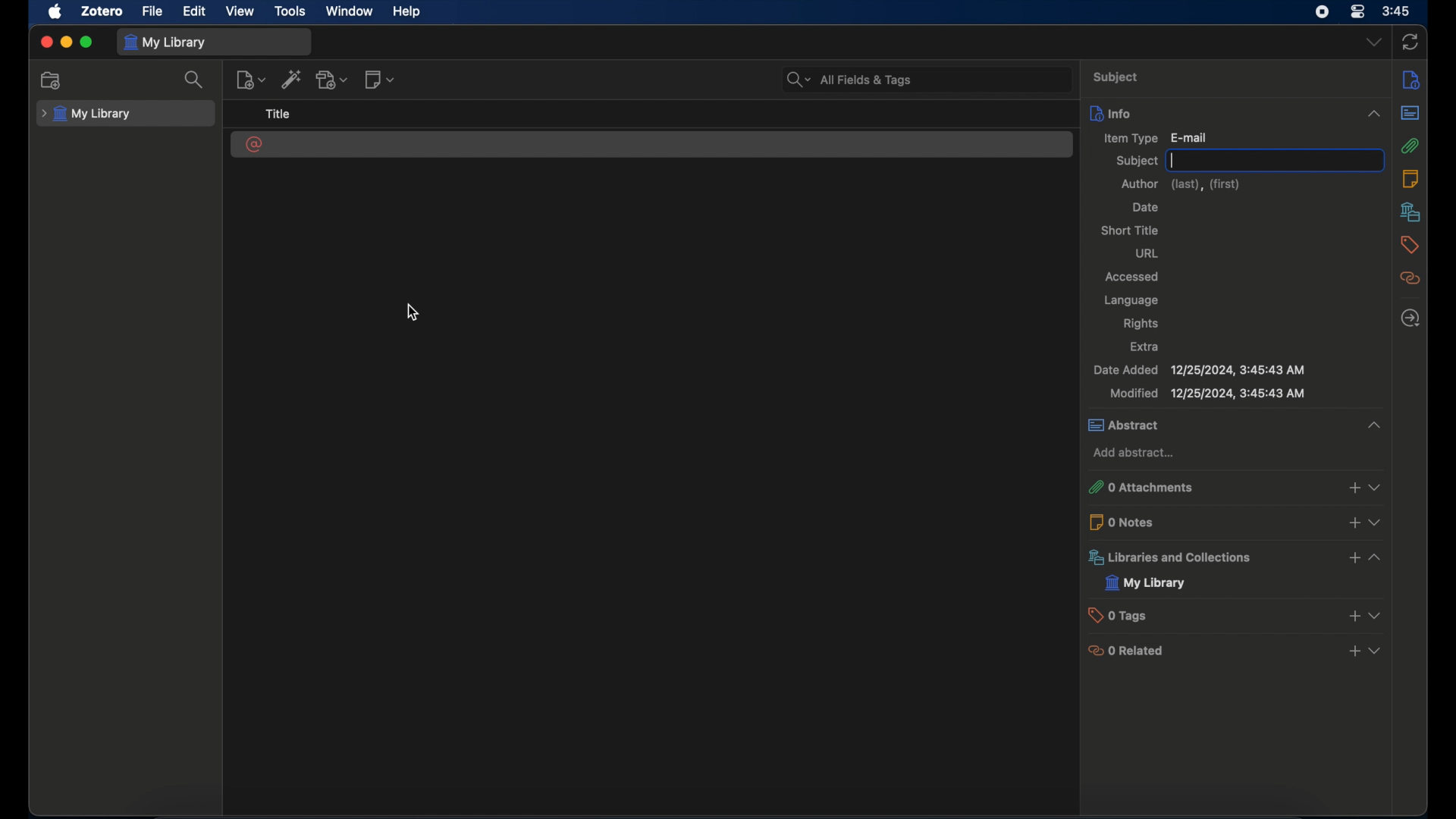 Image resolution: width=1456 pixels, height=819 pixels. I want to click on add abstract, so click(1136, 453).